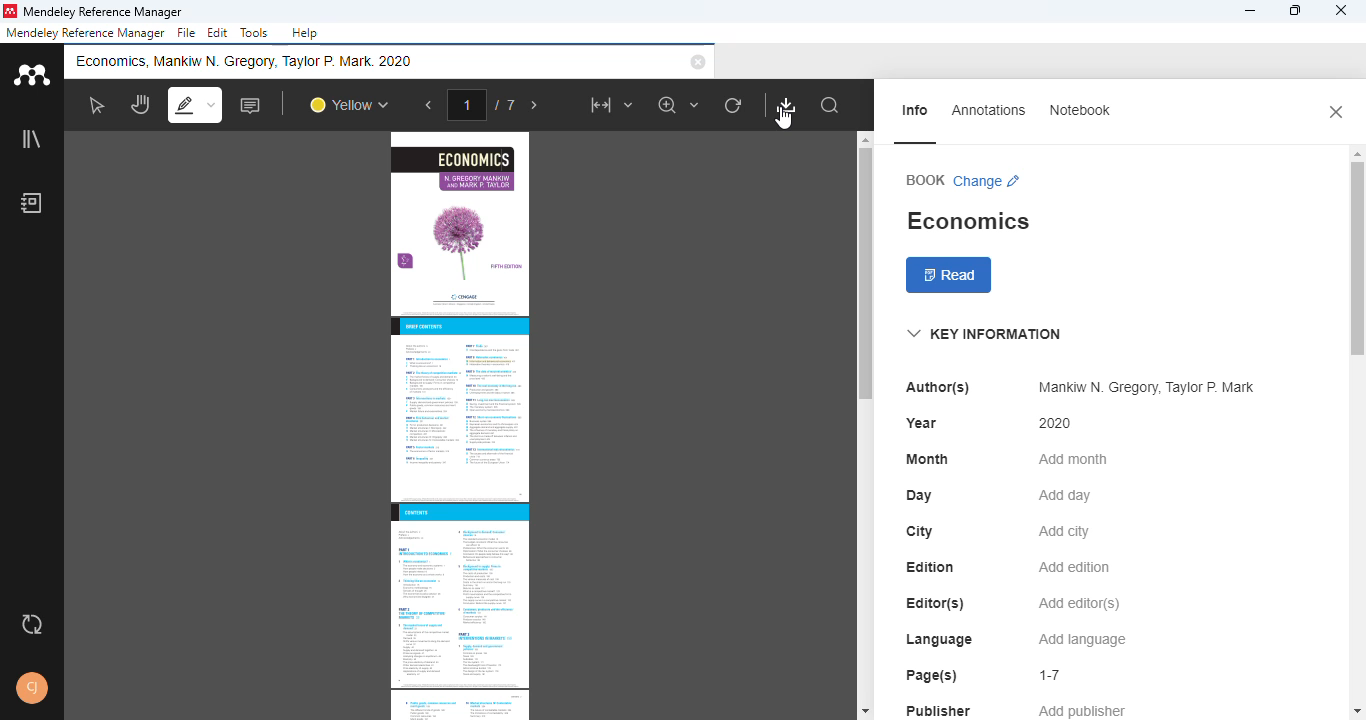 This screenshot has height=720, width=1366. I want to click on 1/7, so click(486, 104).